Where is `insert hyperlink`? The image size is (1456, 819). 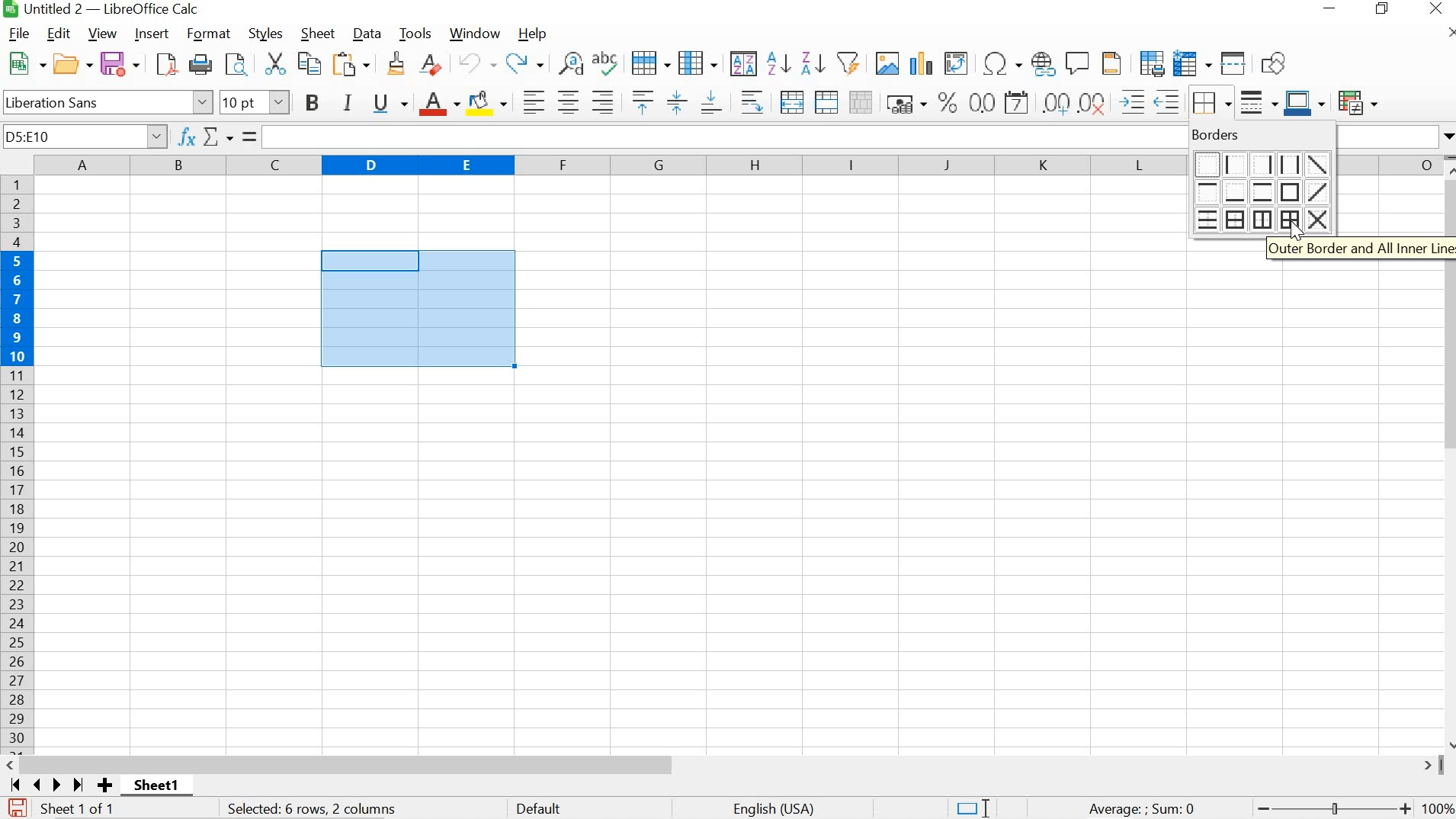
insert hyperlink is located at coordinates (1044, 63).